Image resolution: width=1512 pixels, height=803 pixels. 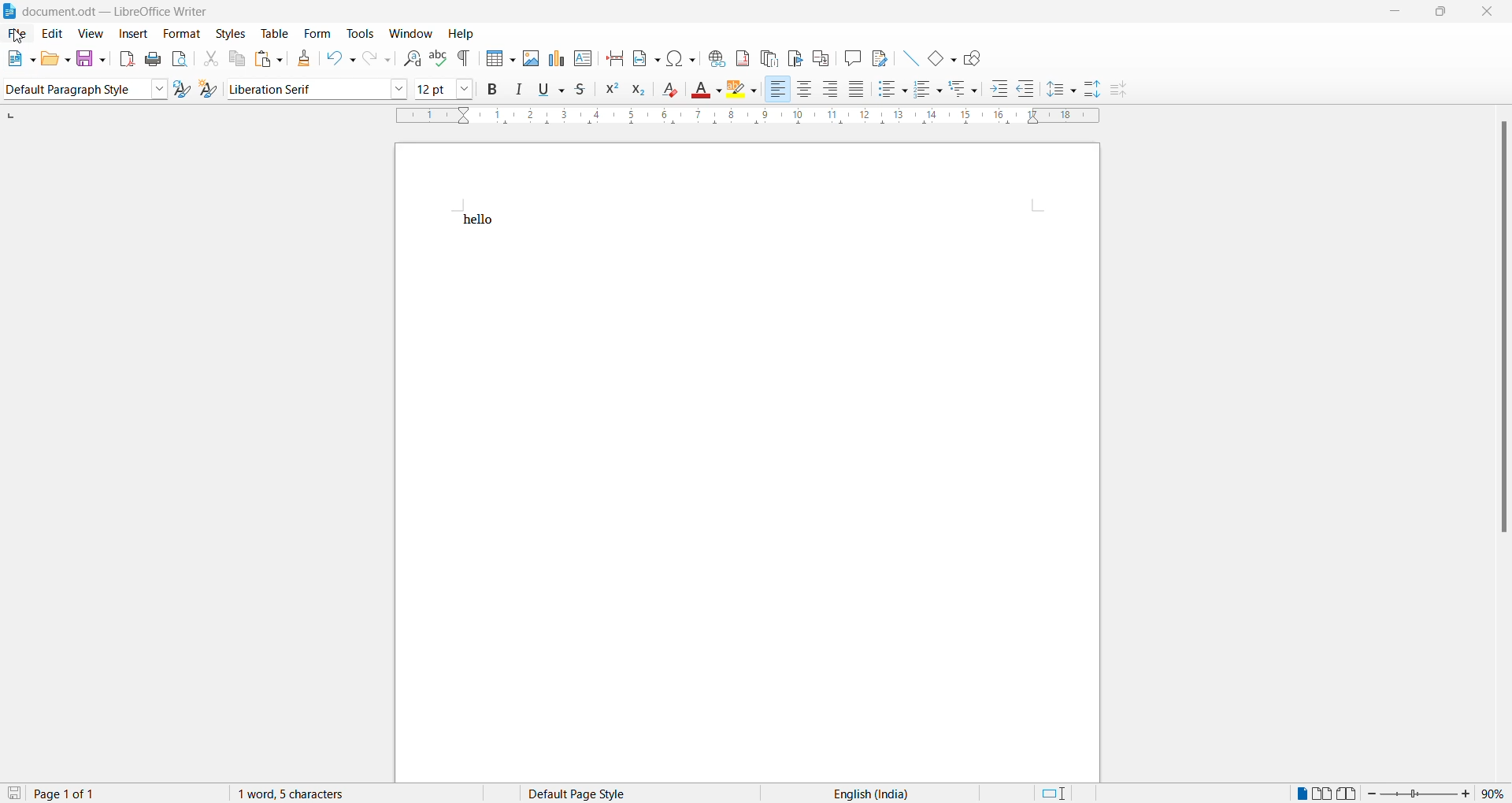 What do you see at coordinates (133, 34) in the screenshot?
I see `Insert` at bounding box center [133, 34].